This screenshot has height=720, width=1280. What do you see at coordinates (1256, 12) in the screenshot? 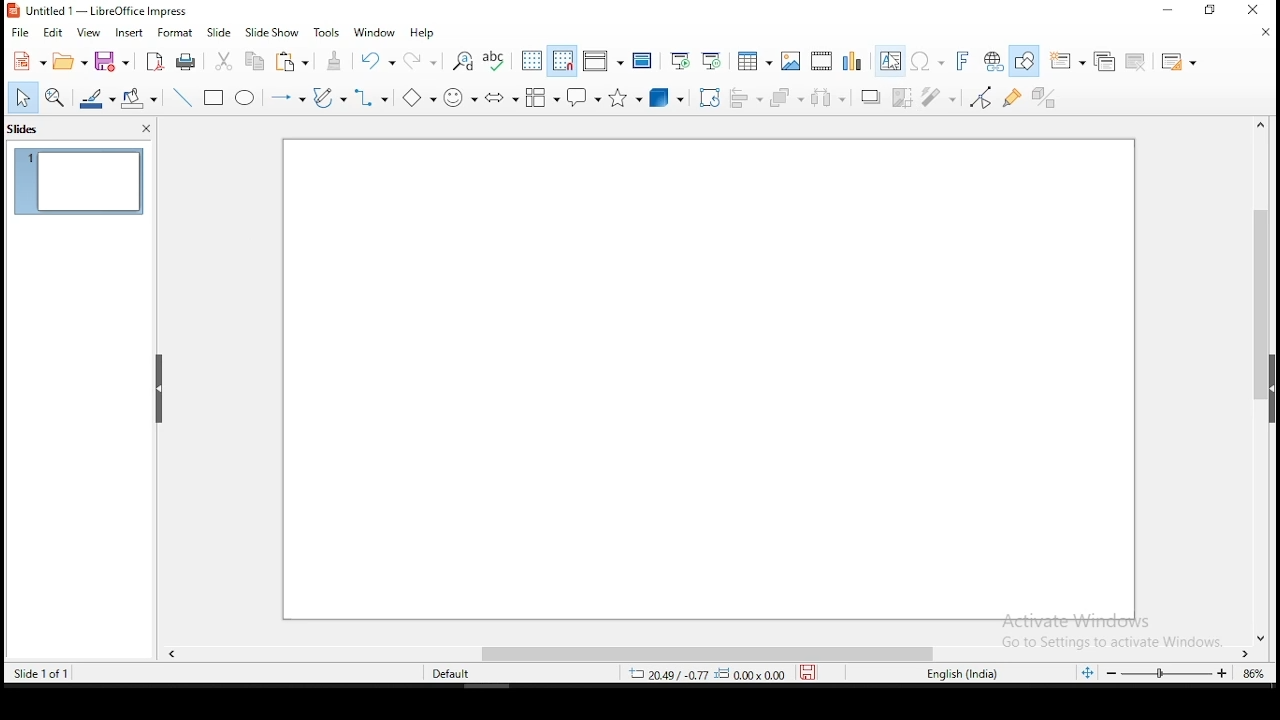
I see `close window` at bounding box center [1256, 12].